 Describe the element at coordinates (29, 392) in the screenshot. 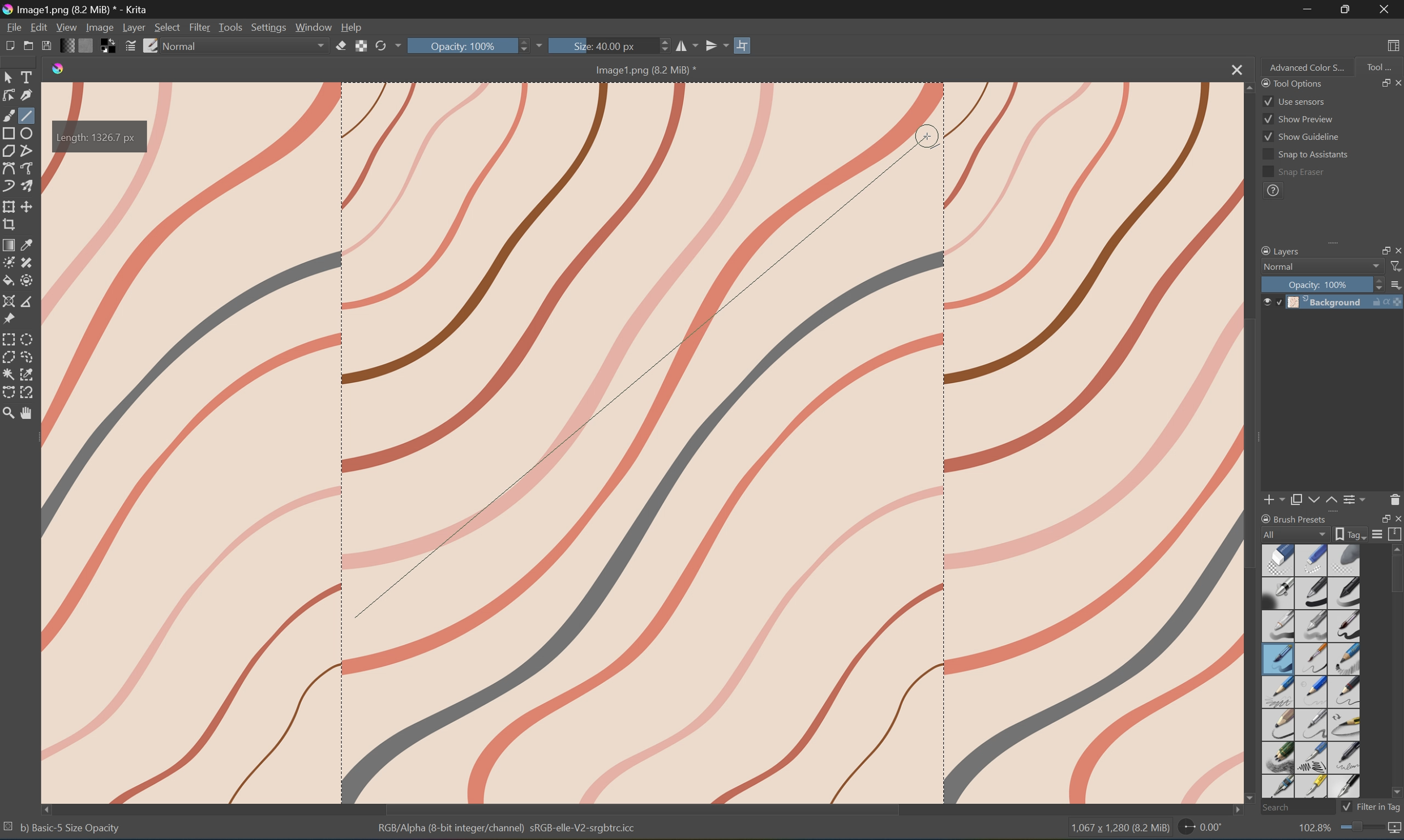

I see `Magnetic curve selection tool` at that location.